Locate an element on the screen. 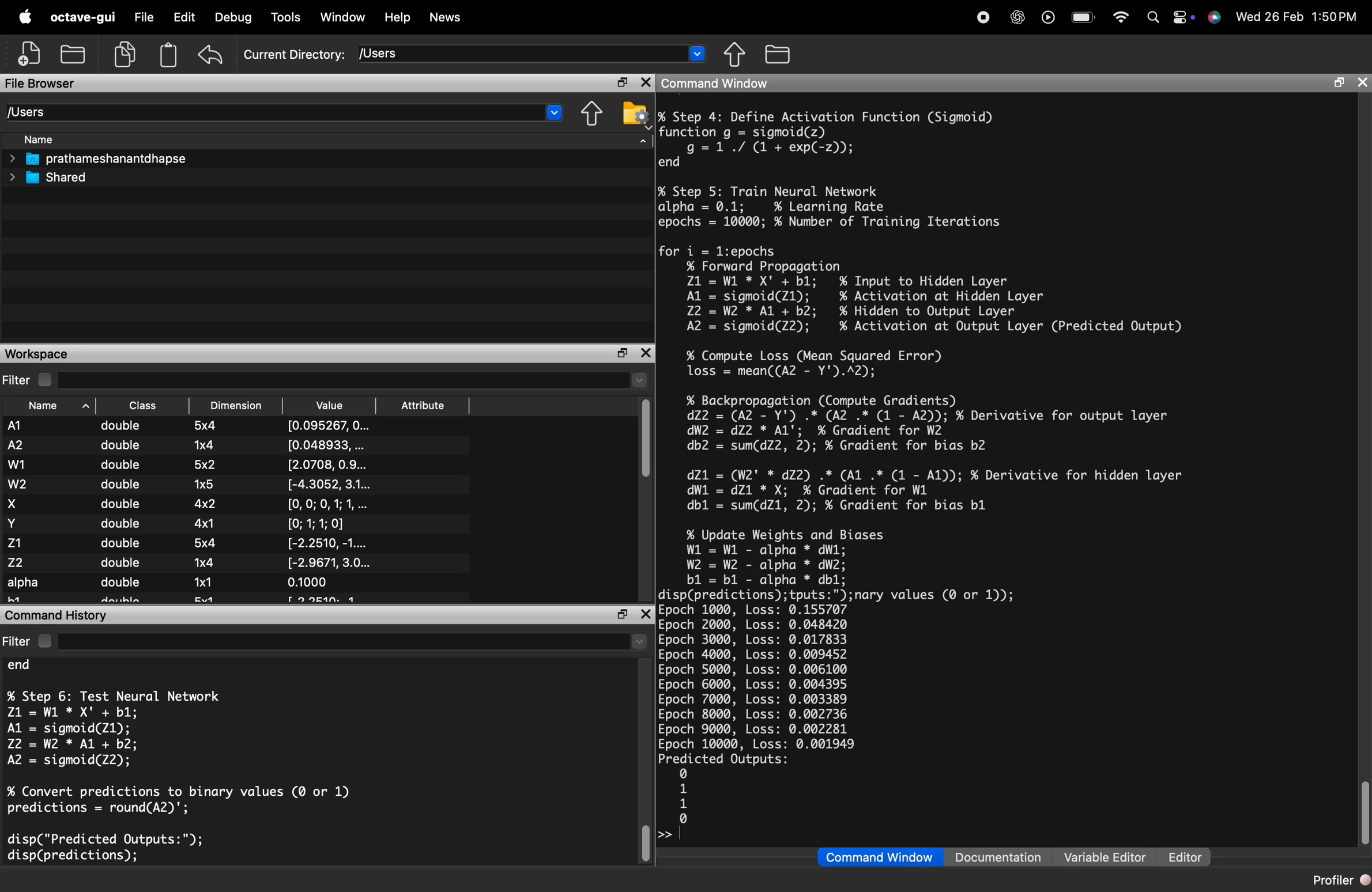  Variable Editor is located at coordinates (1106, 857).